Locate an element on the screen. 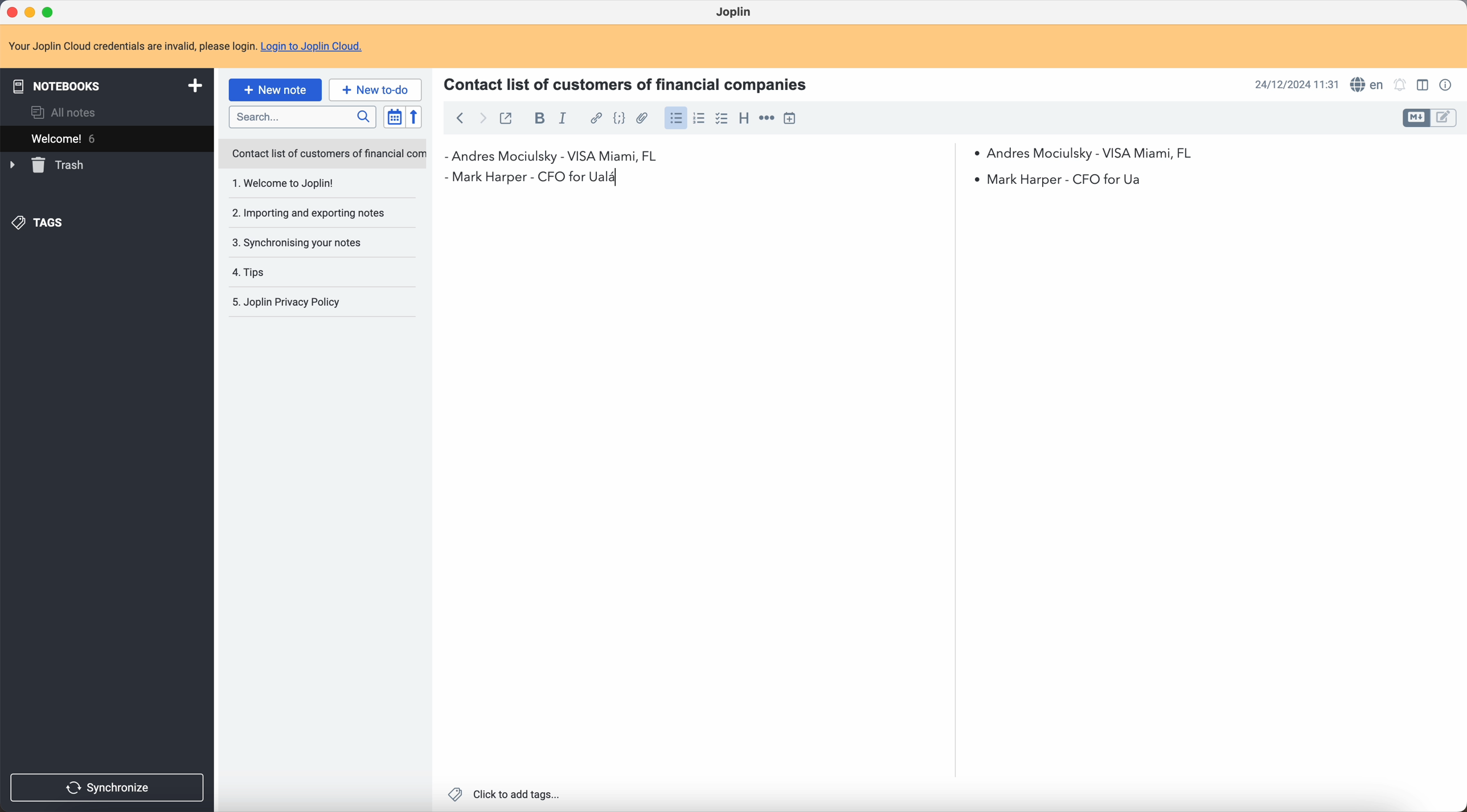 The height and width of the screenshot is (812, 1467). reverse sort order is located at coordinates (413, 117).